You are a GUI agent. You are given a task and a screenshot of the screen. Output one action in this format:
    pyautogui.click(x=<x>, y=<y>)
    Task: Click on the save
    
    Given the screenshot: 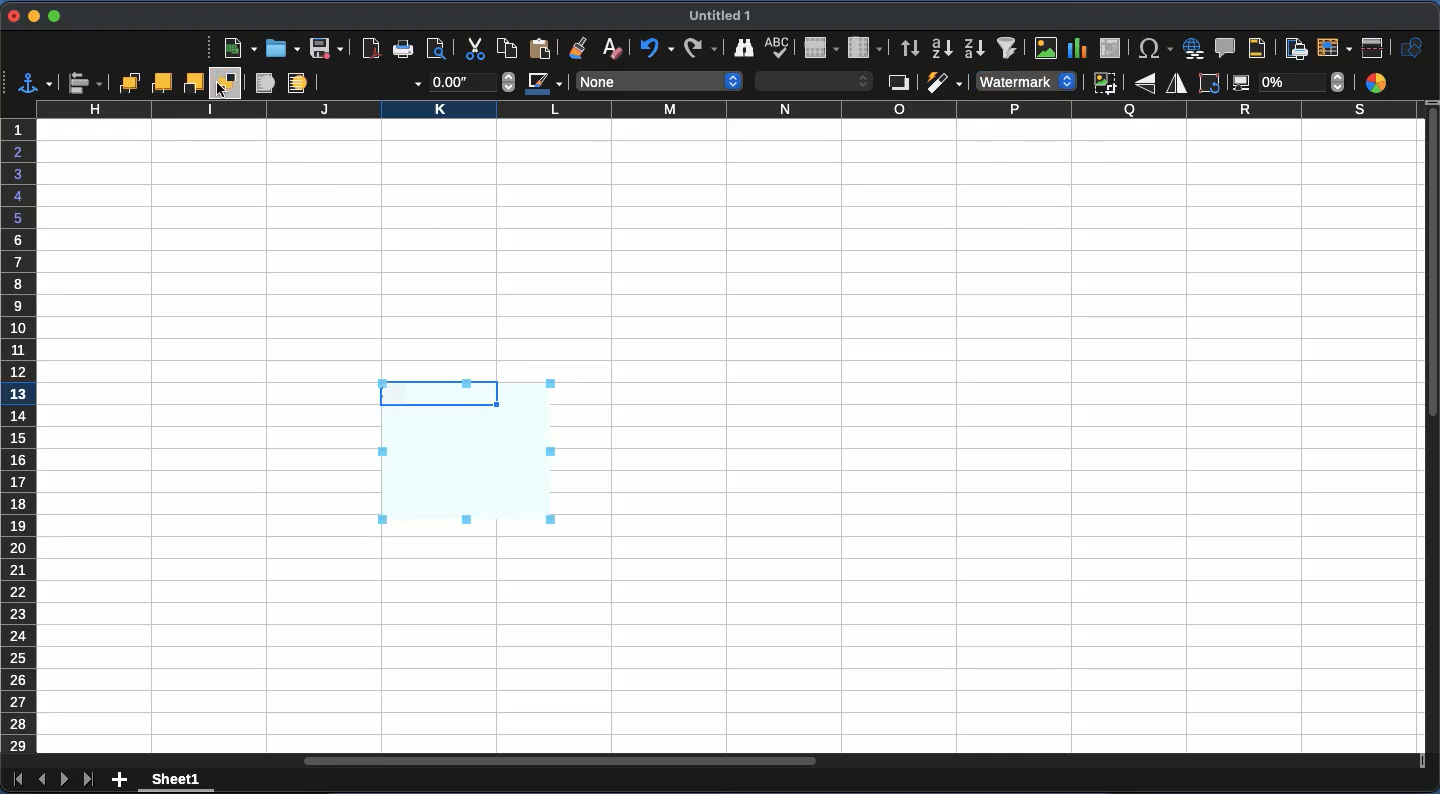 What is the action you would take?
    pyautogui.click(x=327, y=49)
    